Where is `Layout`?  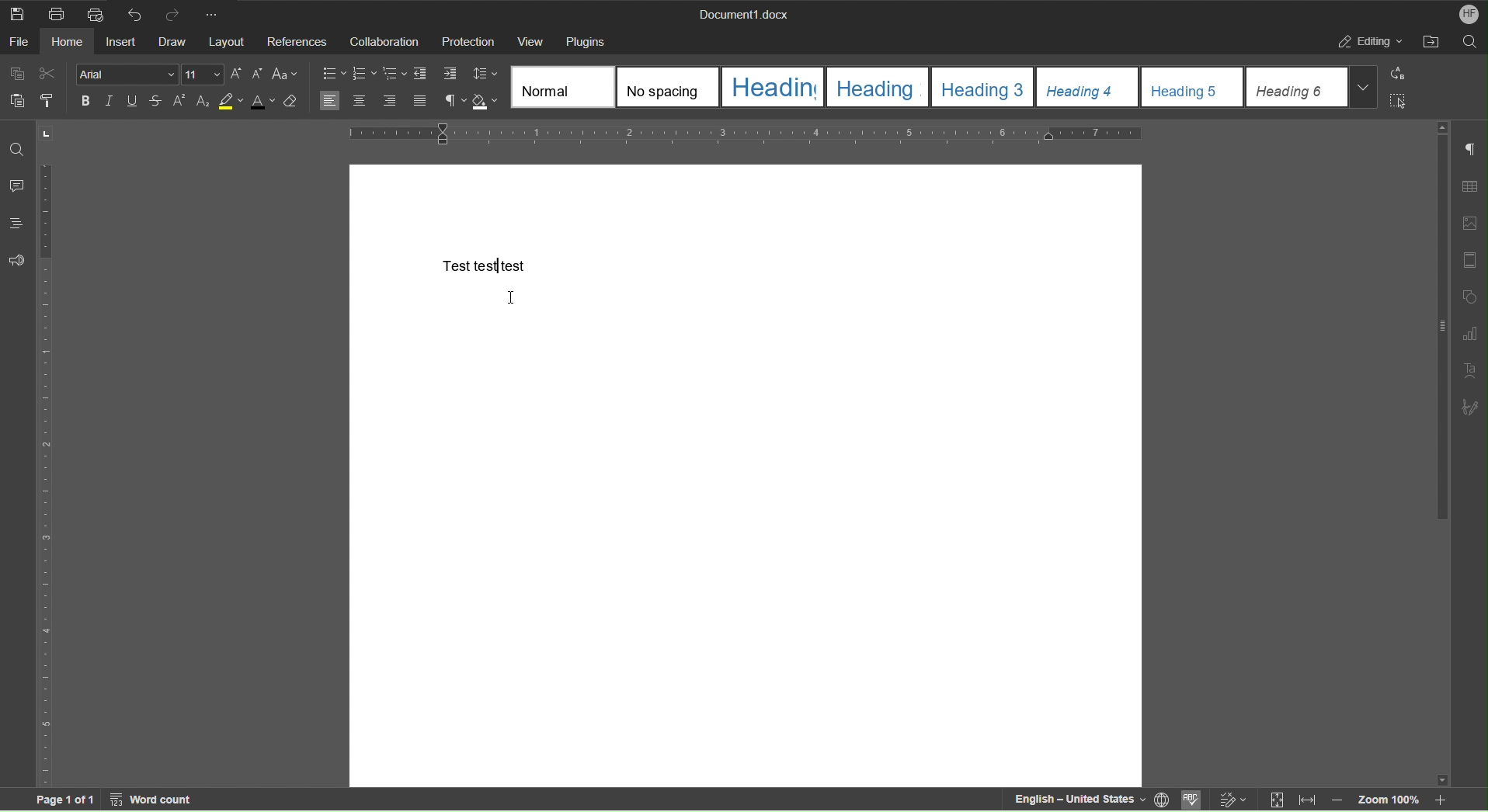 Layout is located at coordinates (229, 41).